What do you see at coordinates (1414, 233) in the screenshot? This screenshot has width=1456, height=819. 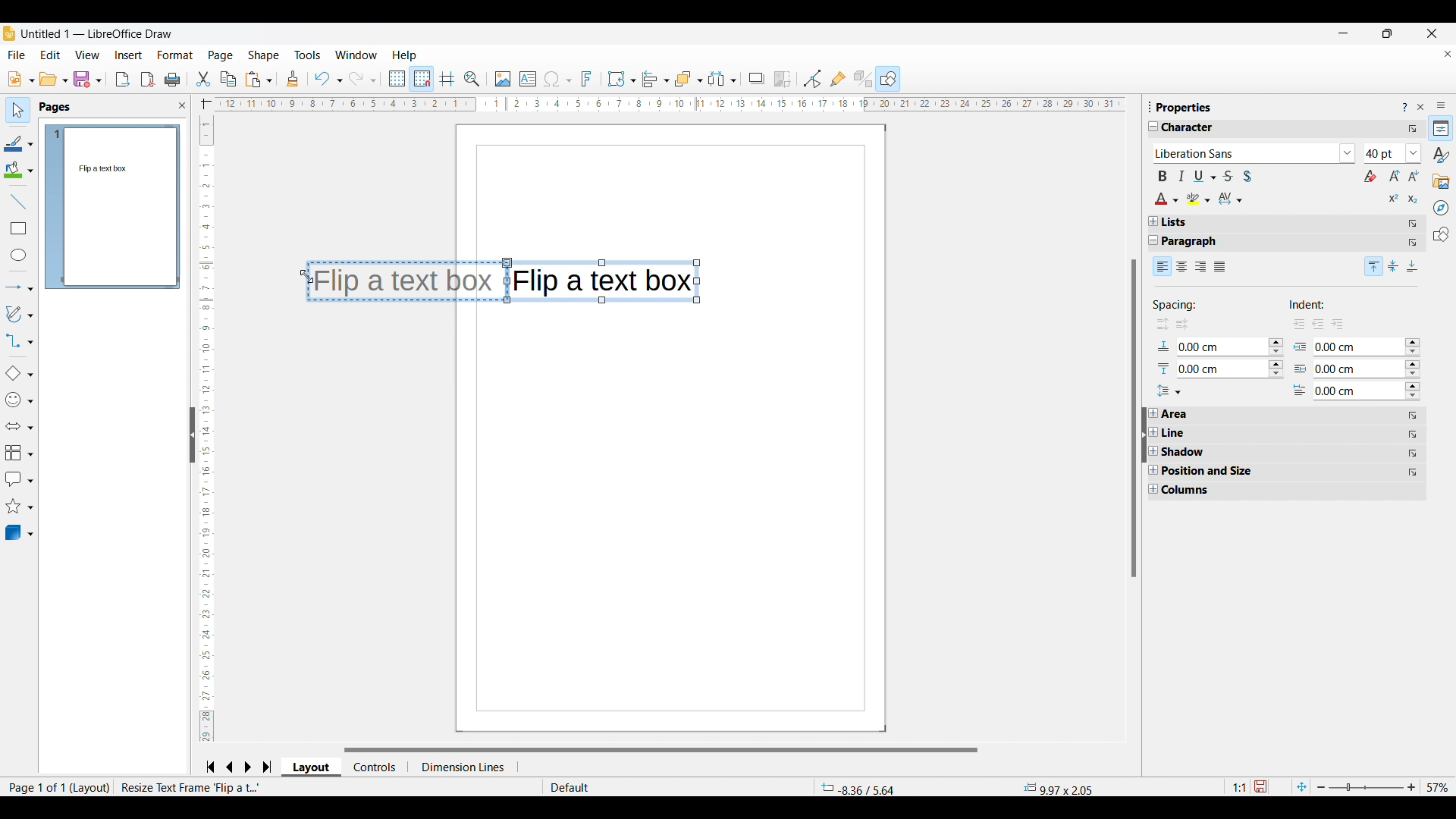 I see `More options for respective sub-title` at bounding box center [1414, 233].